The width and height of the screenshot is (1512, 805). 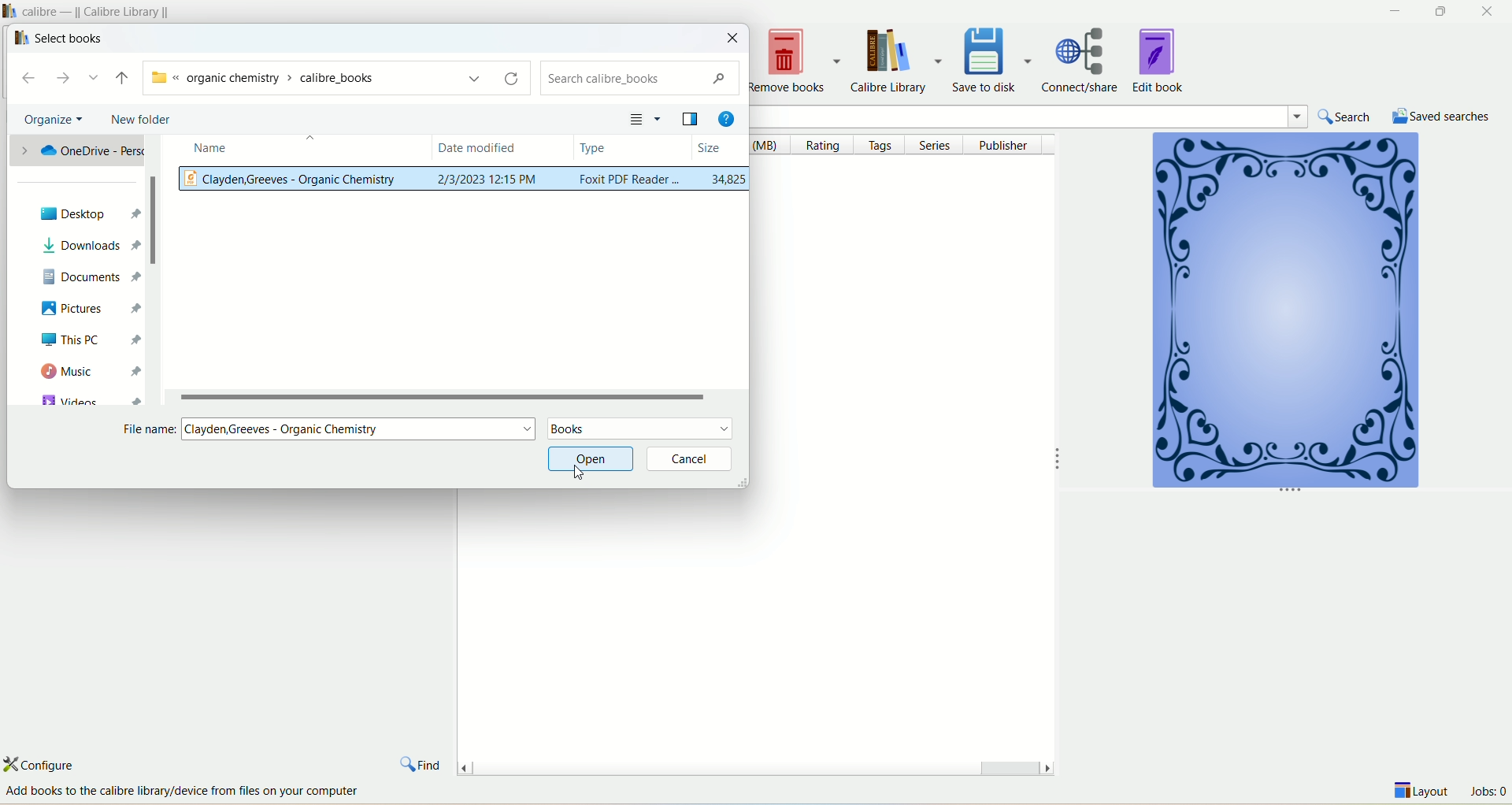 I want to click on close, so click(x=734, y=38).